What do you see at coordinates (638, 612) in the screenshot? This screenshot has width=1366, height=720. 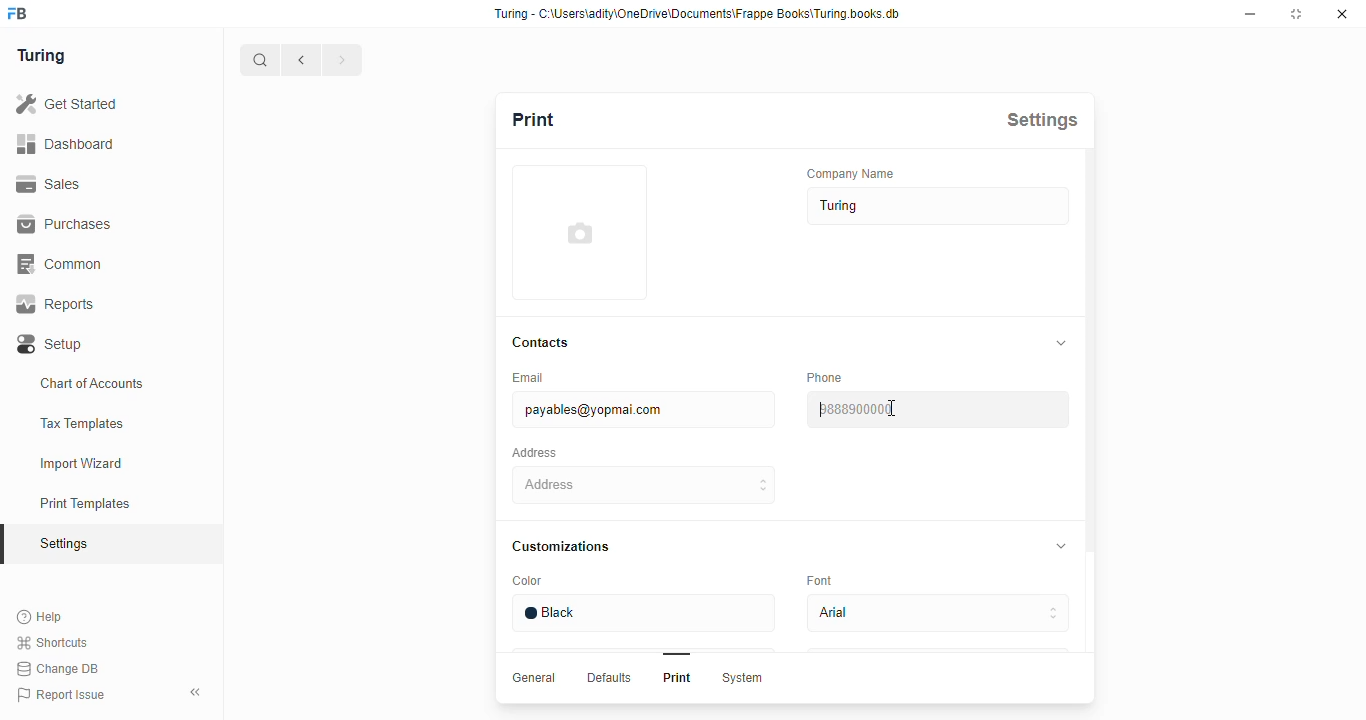 I see `Black` at bounding box center [638, 612].